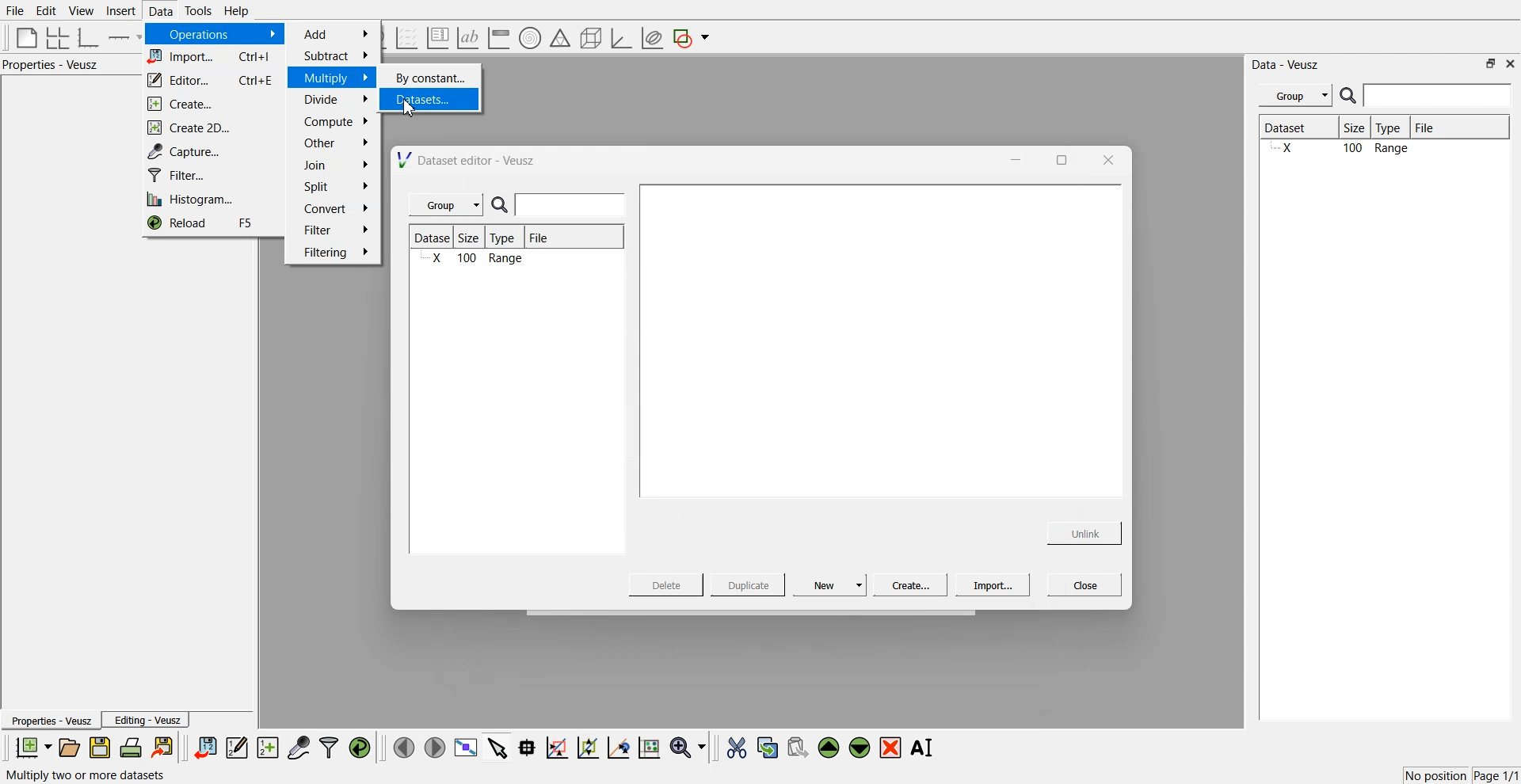 The image size is (1521, 784). What do you see at coordinates (1359, 129) in the screenshot?
I see `Size` at bounding box center [1359, 129].